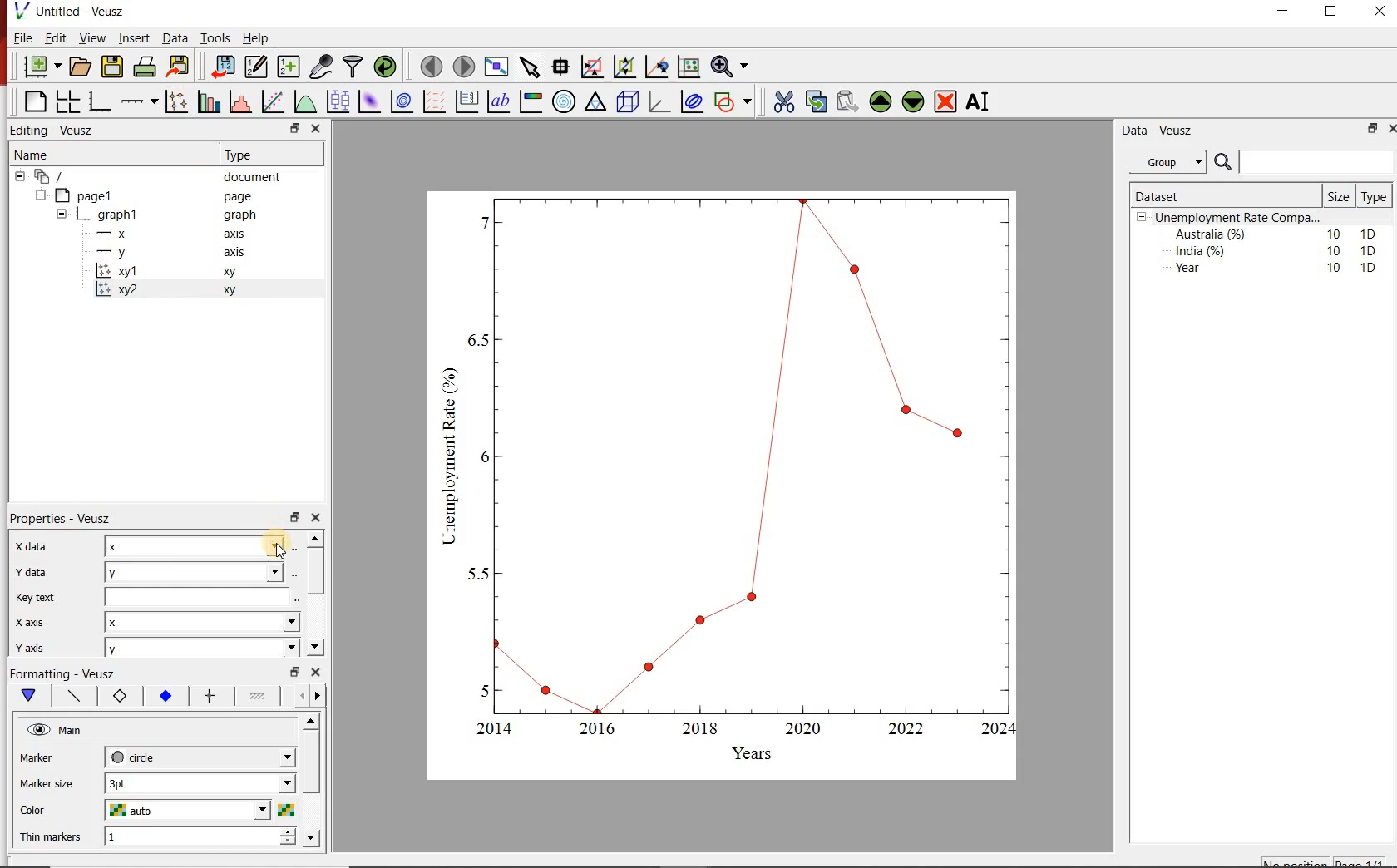 The width and height of the screenshot is (1397, 868). What do you see at coordinates (105, 153) in the screenshot?
I see `Name` at bounding box center [105, 153].